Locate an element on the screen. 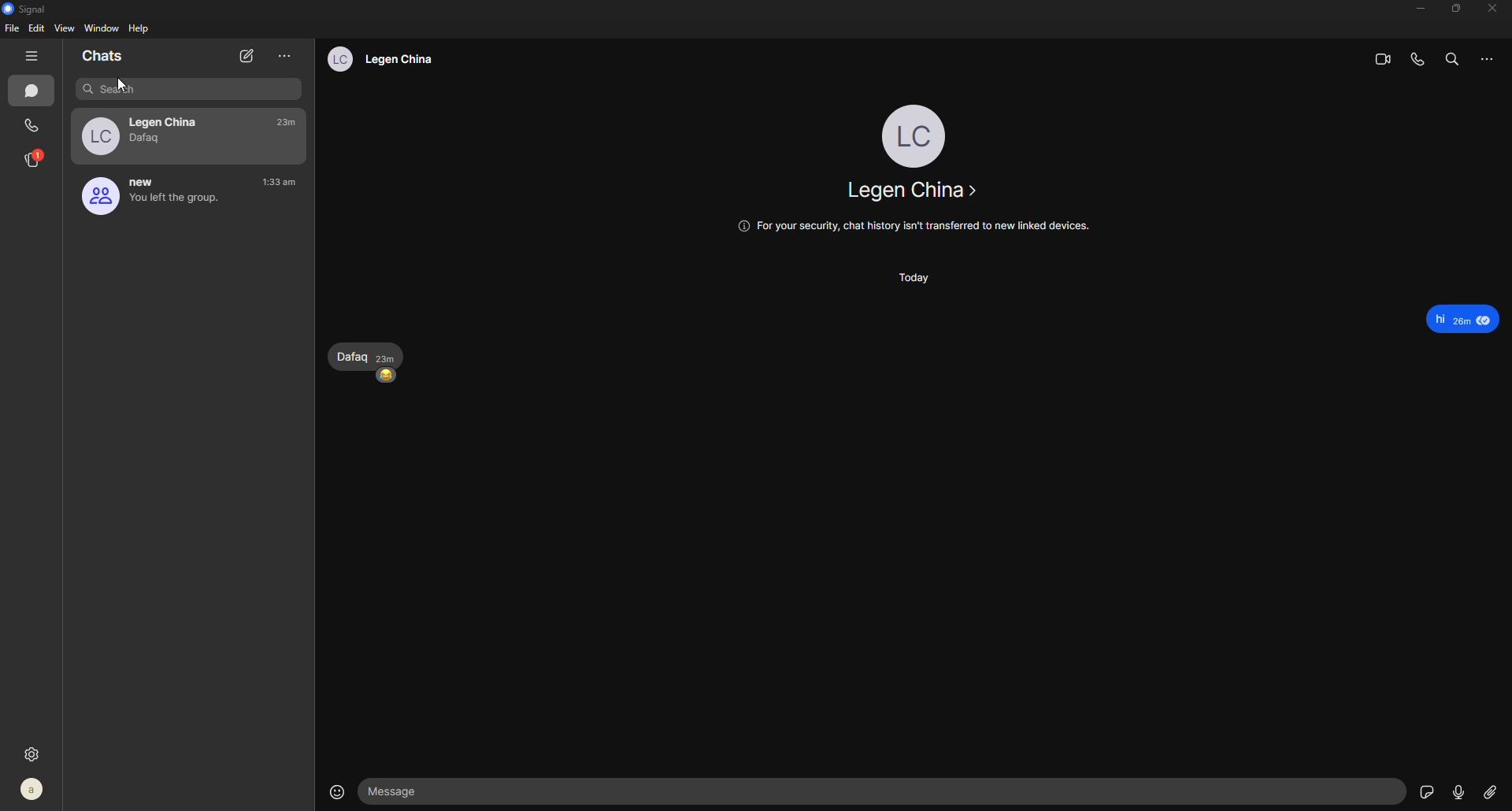  profile - lc is located at coordinates (910, 131).